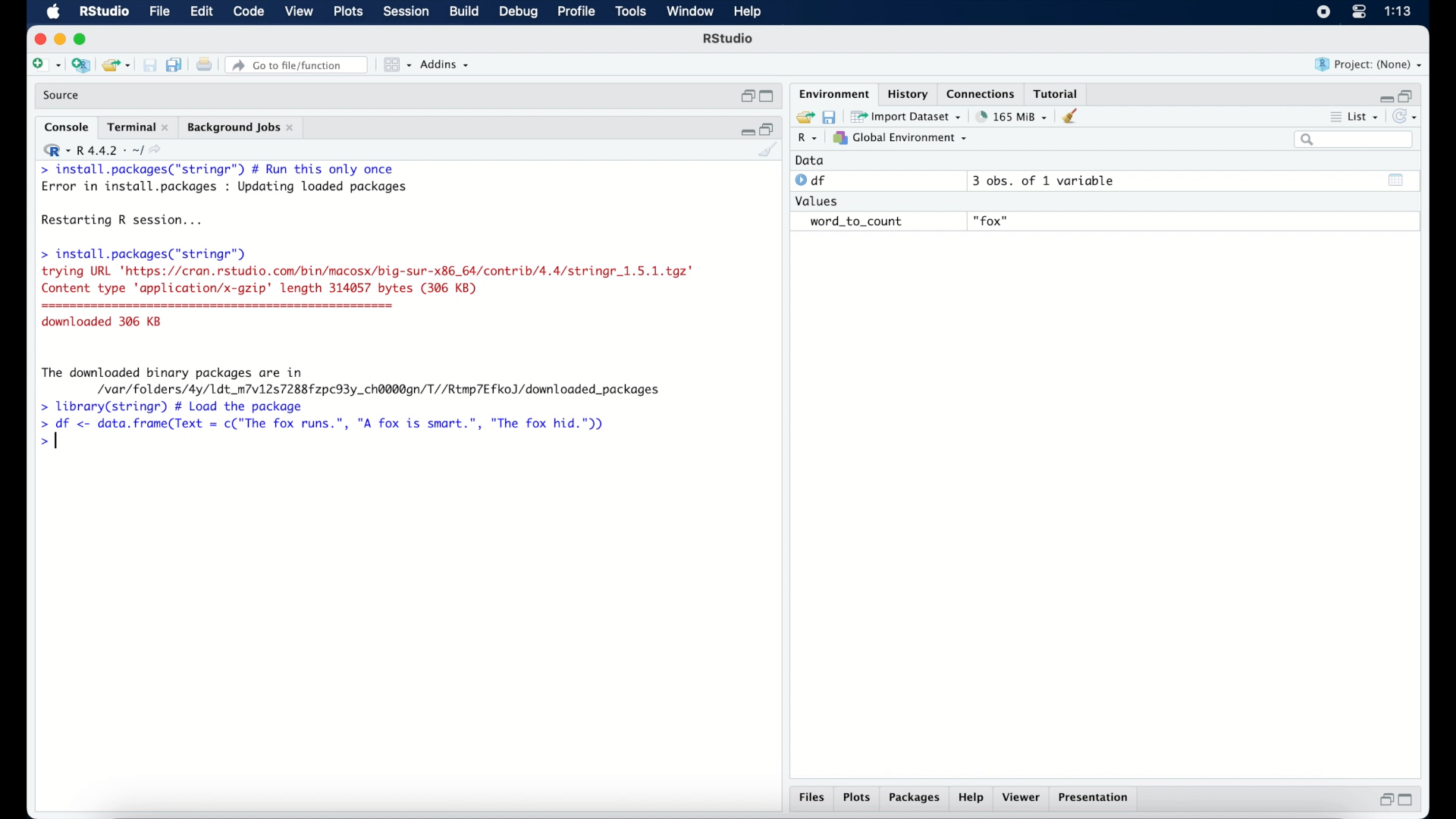 This screenshot has width=1456, height=819. Describe the element at coordinates (59, 39) in the screenshot. I see `minimize` at that location.